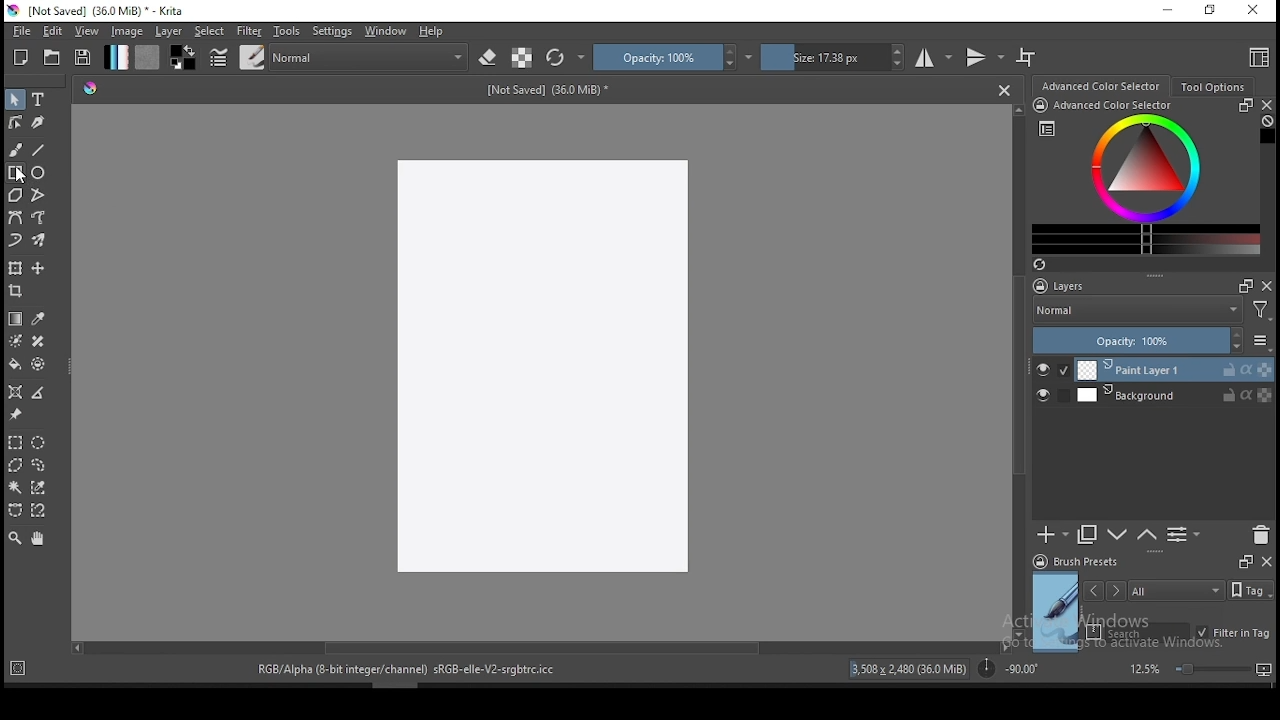 This screenshot has width=1280, height=720. I want to click on rotation, so click(1008, 667).